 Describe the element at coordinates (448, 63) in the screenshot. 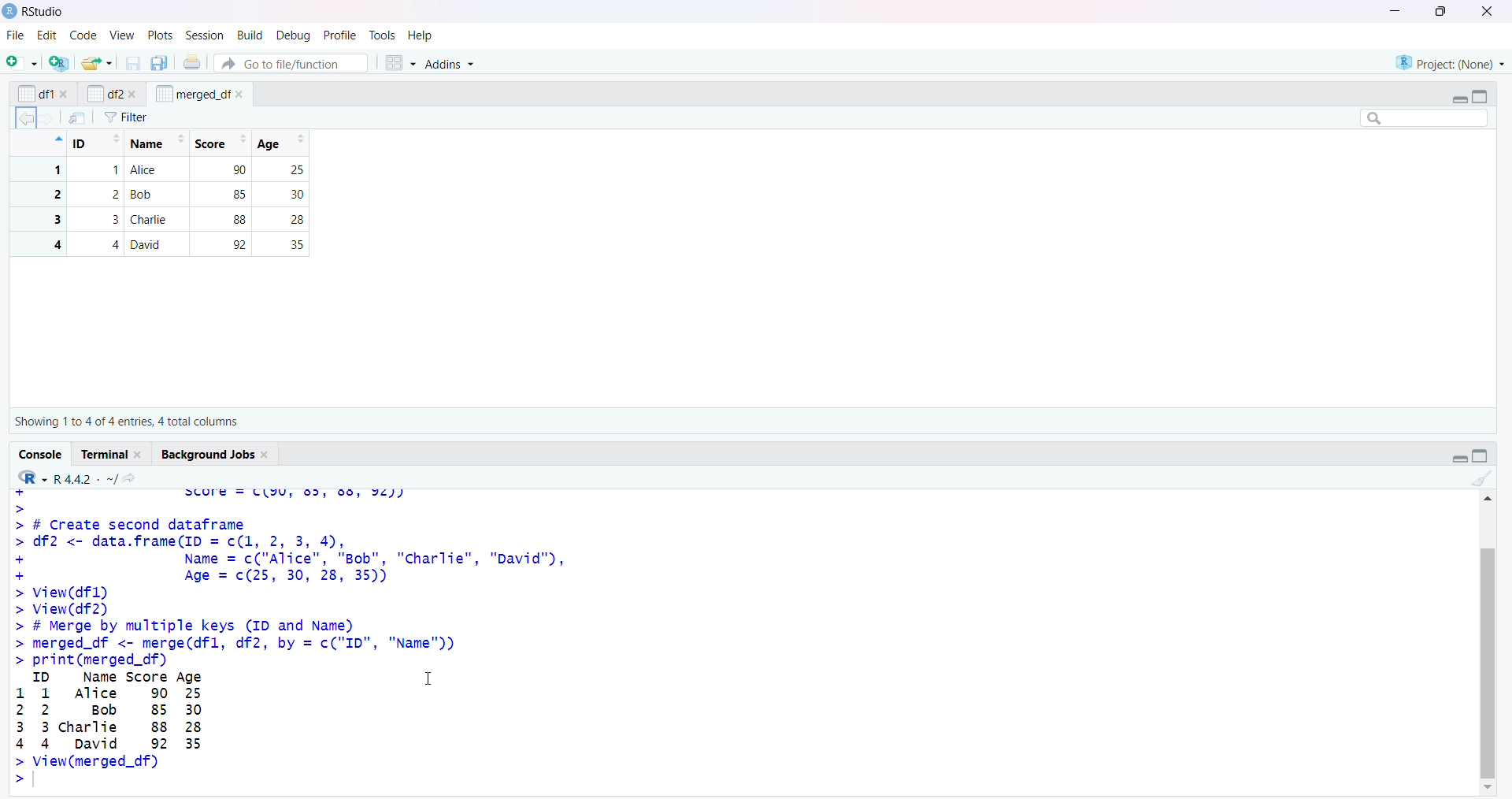

I see `Addins ` at that location.